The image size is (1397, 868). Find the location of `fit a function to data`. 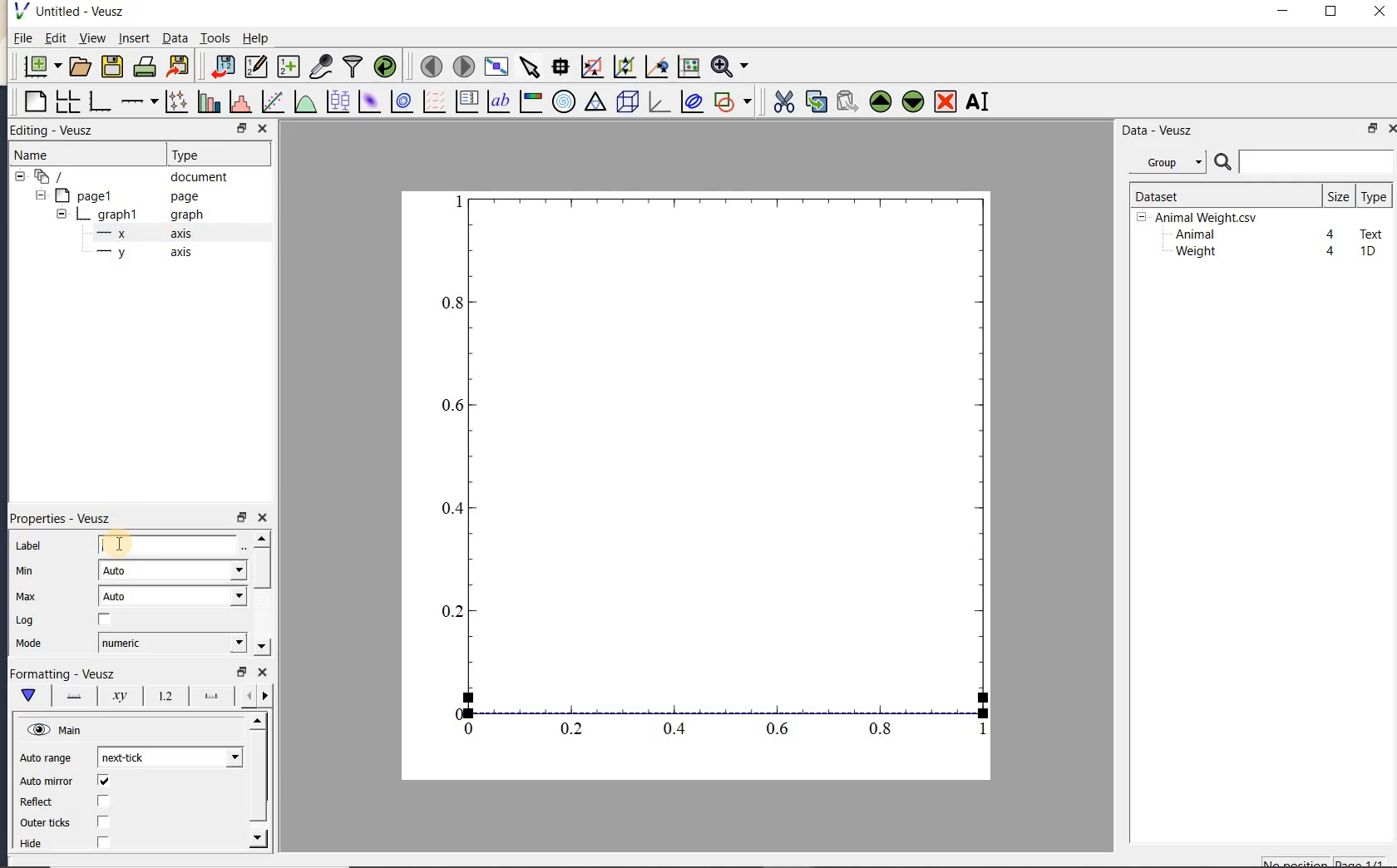

fit a function to data is located at coordinates (272, 101).